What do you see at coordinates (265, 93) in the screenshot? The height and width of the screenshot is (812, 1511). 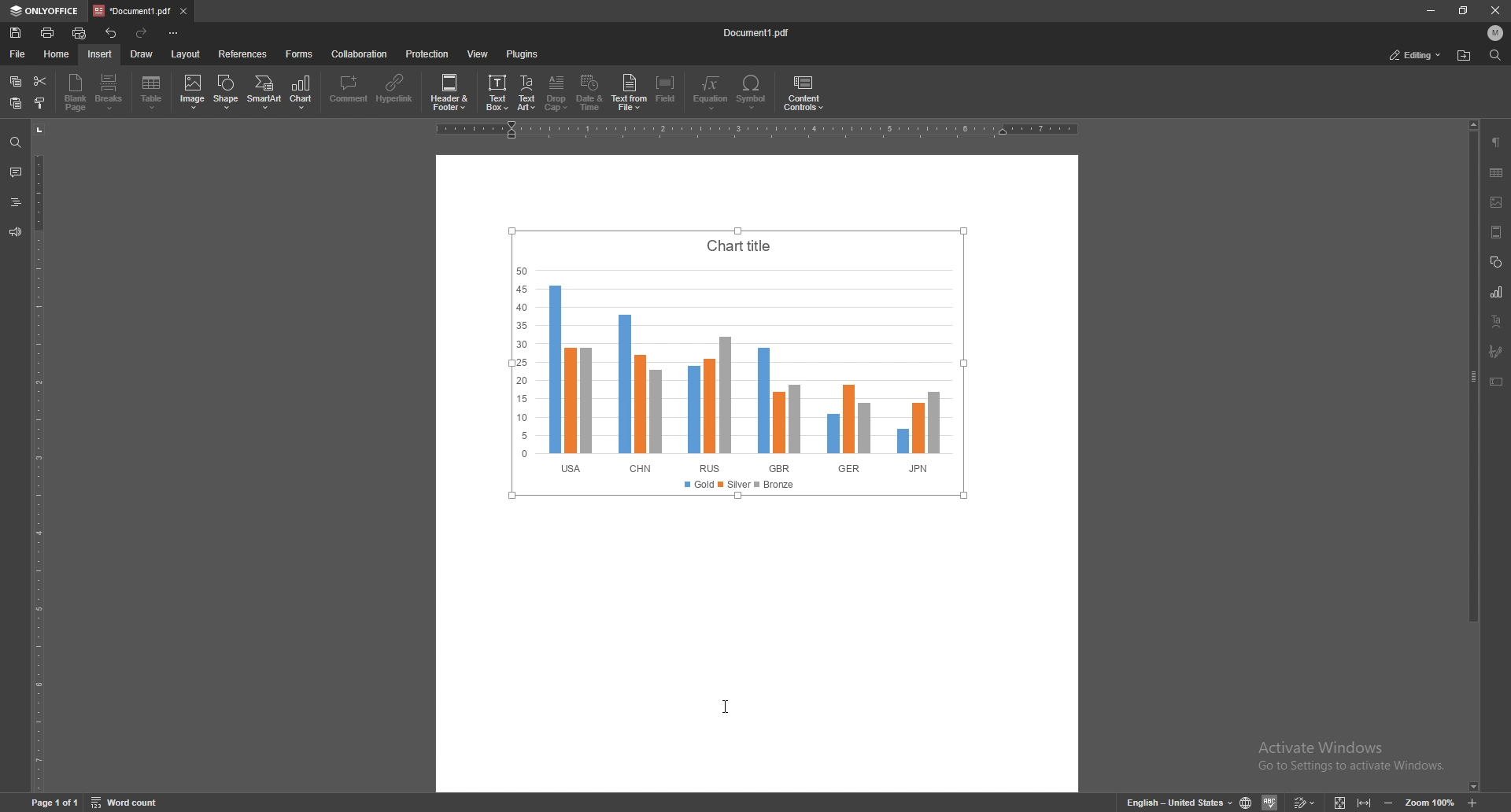 I see `smart art` at bounding box center [265, 93].